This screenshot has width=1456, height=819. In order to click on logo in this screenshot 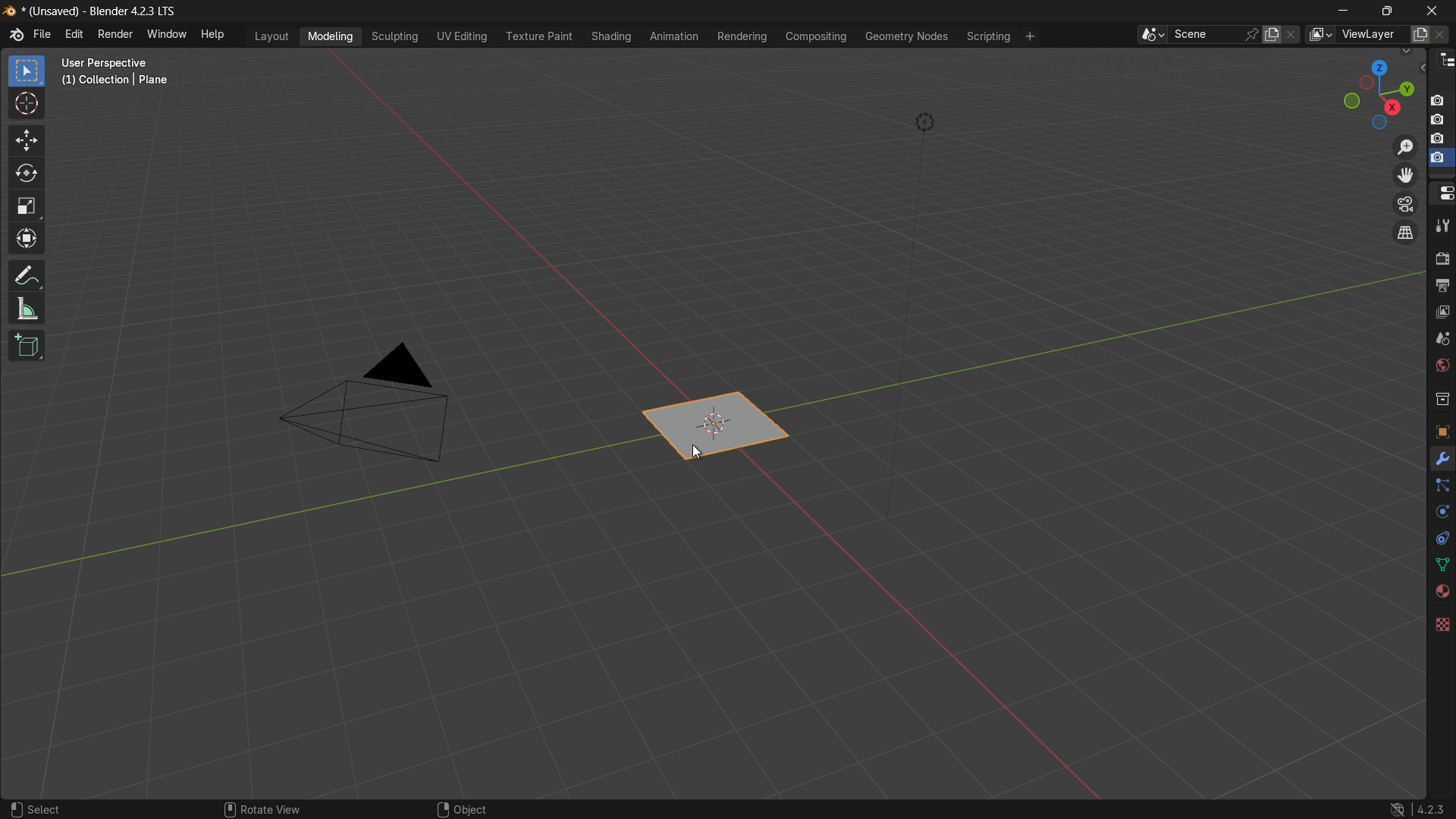, I will do `click(14, 37)`.